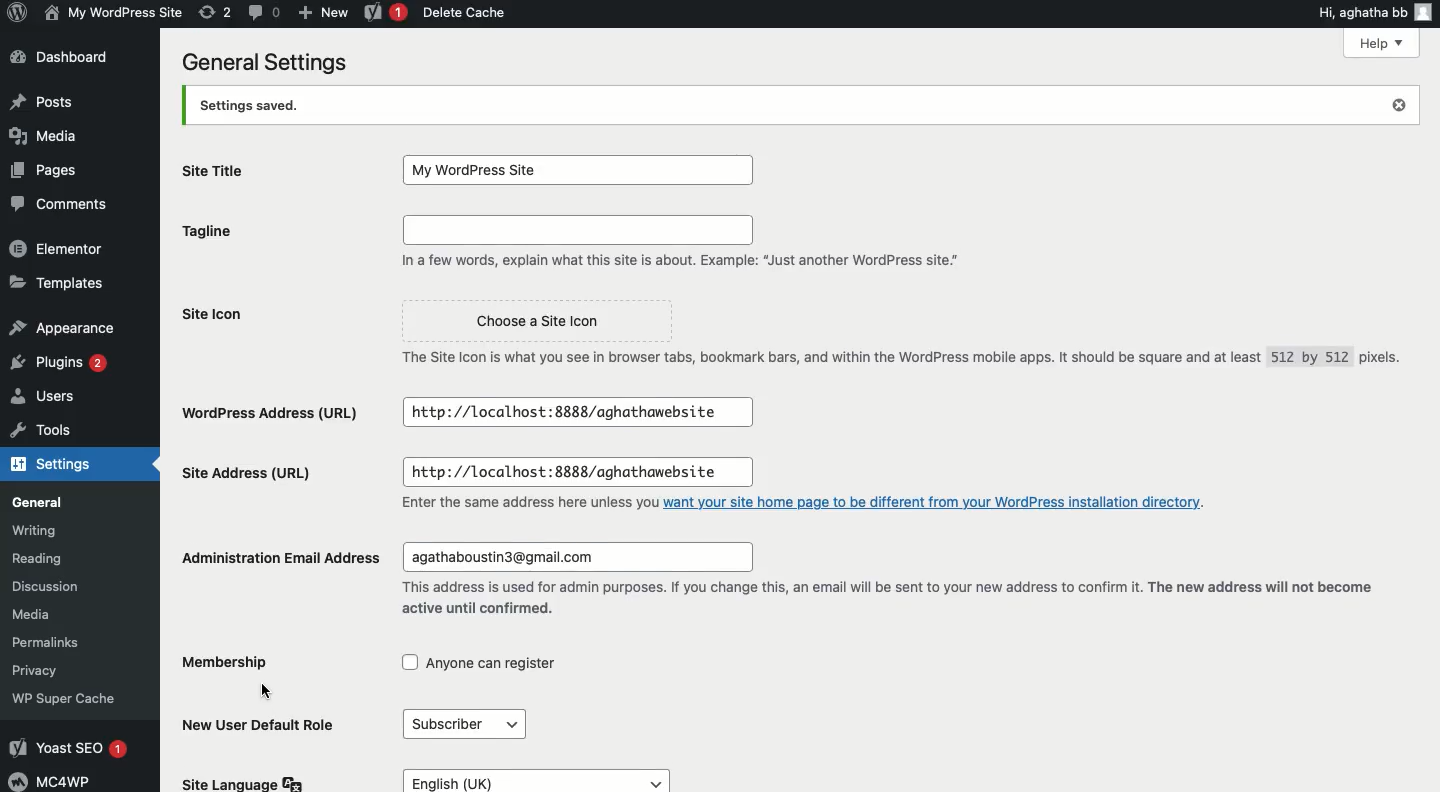 This screenshot has width=1440, height=792. I want to click on General settings, so click(271, 59).